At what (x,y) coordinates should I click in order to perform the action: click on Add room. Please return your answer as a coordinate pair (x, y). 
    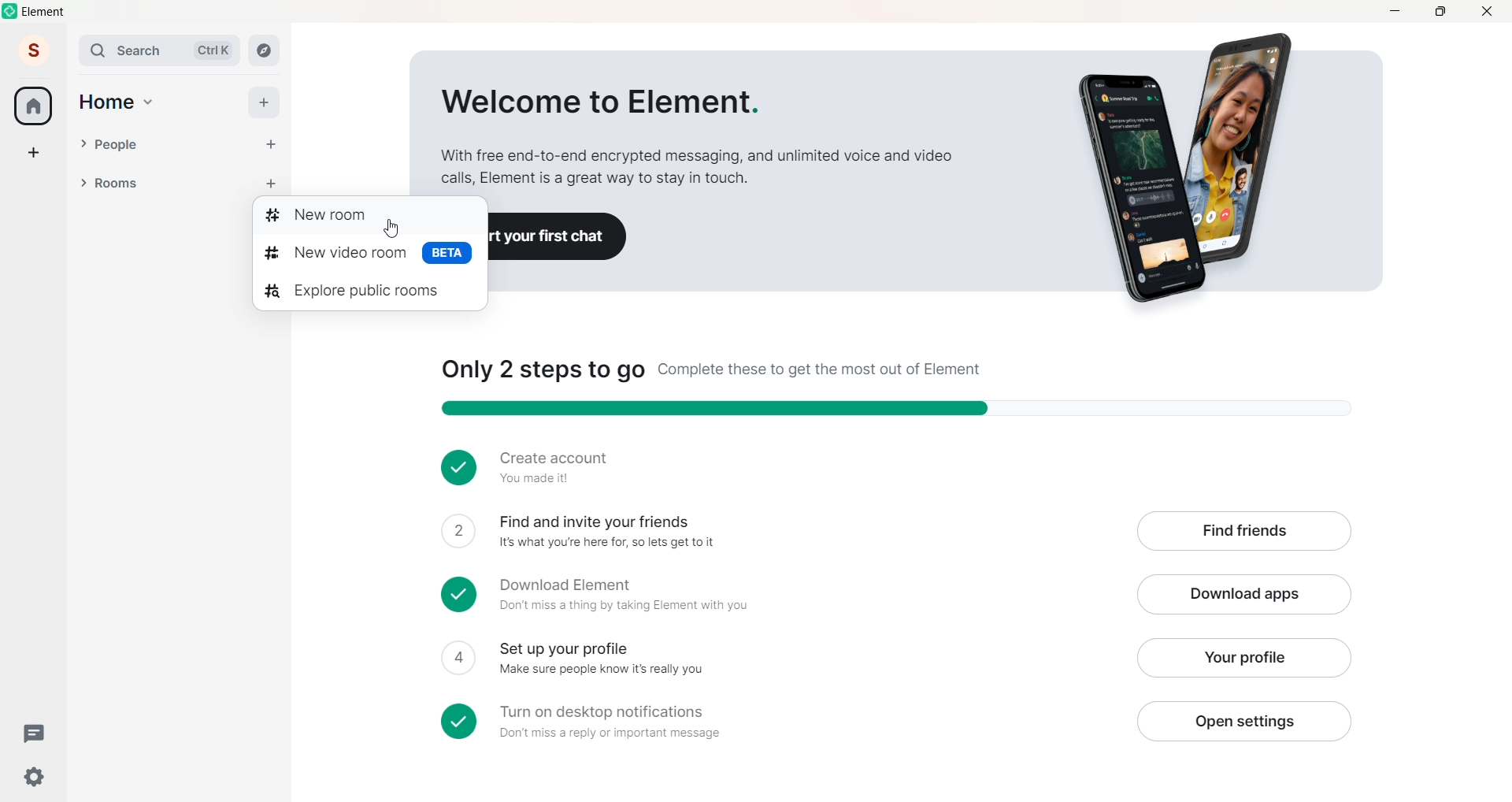
    Looking at the image, I should click on (276, 181).